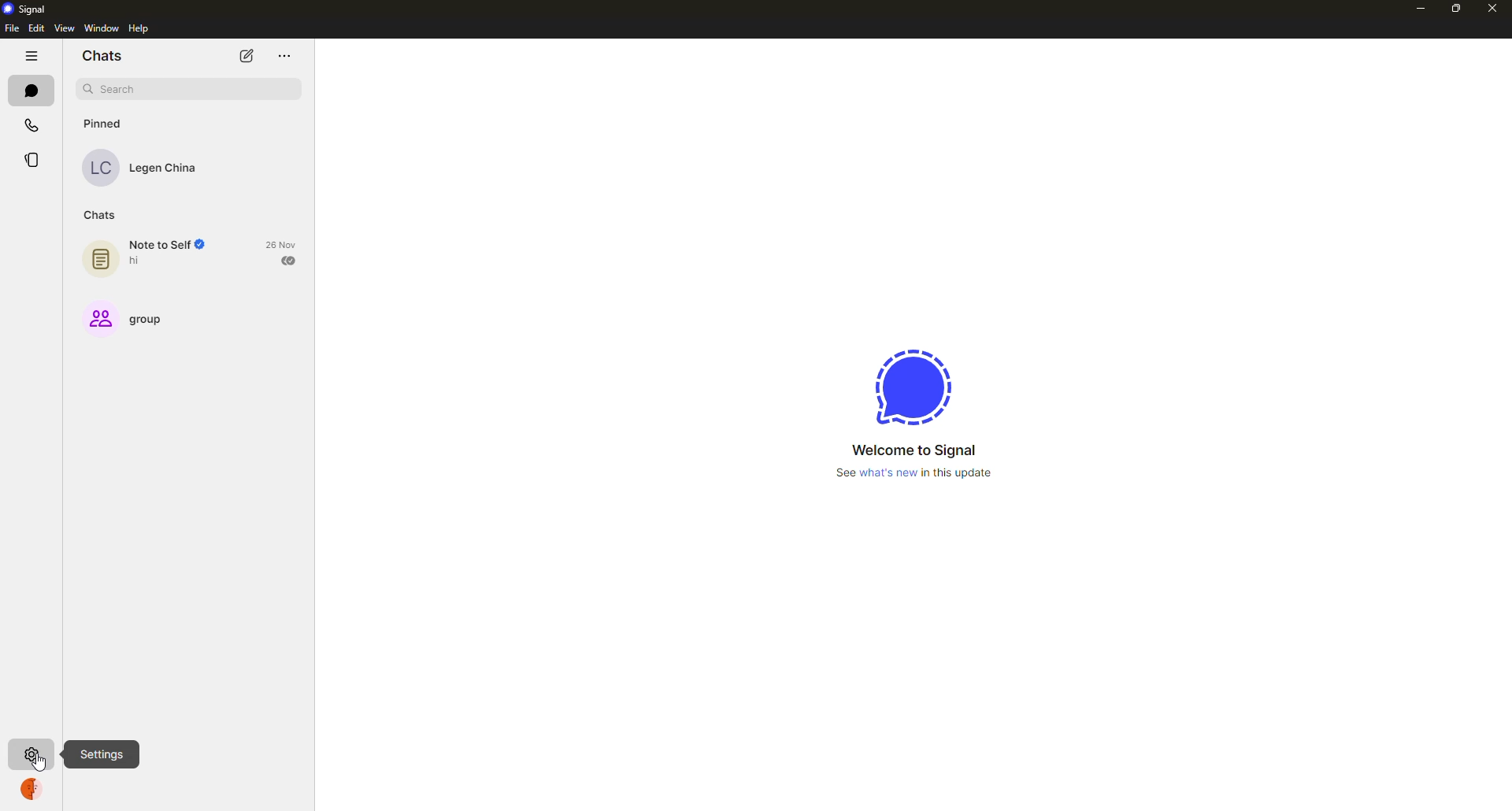  What do you see at coordinates (102, 27) in the screenshot?
I see `window` at bounding box center [102, 27].